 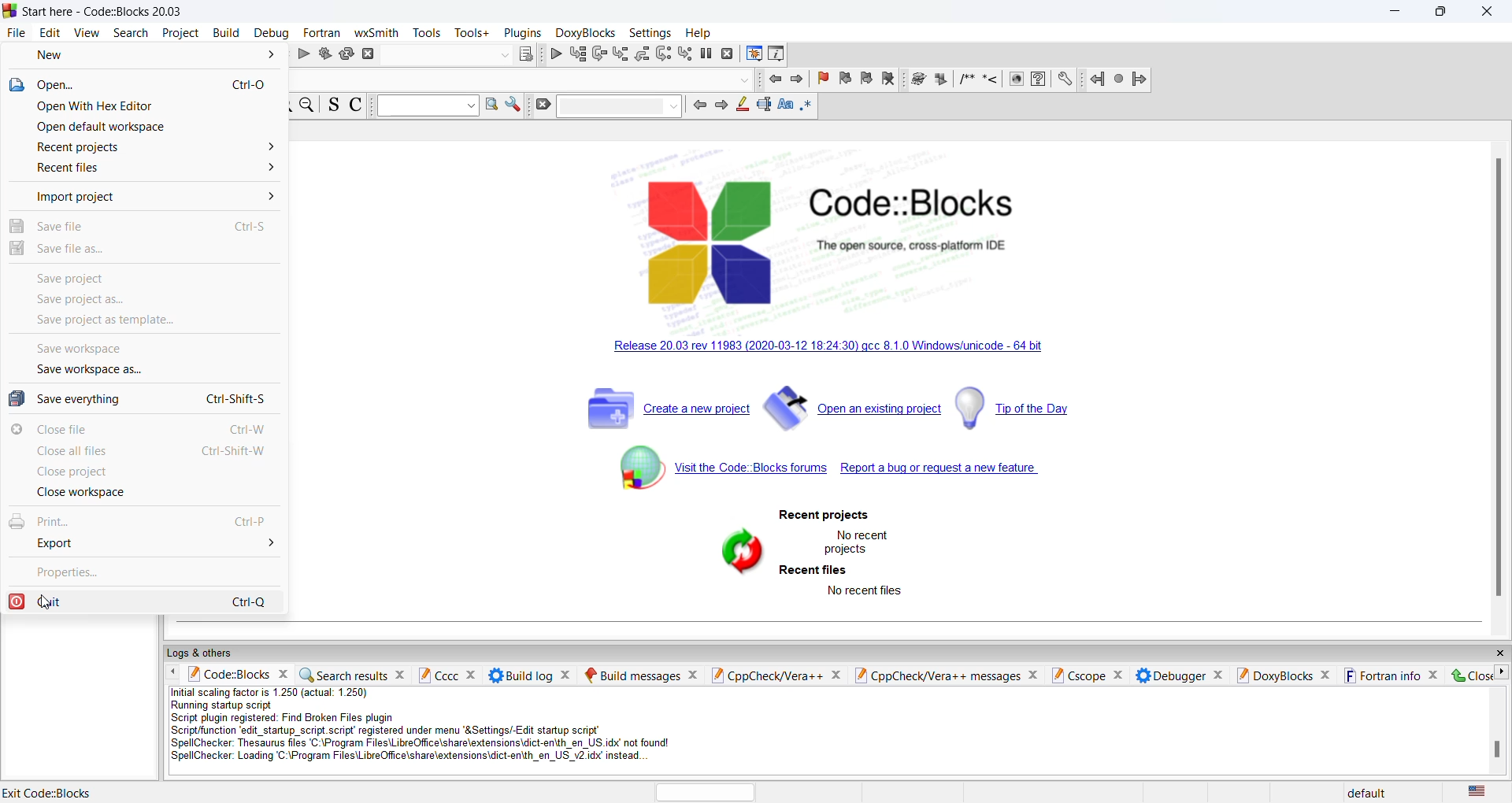 What do you see at coordinates (141, 323) in the screenshot?
I see `save project as template` at bounding box center [141, 323].